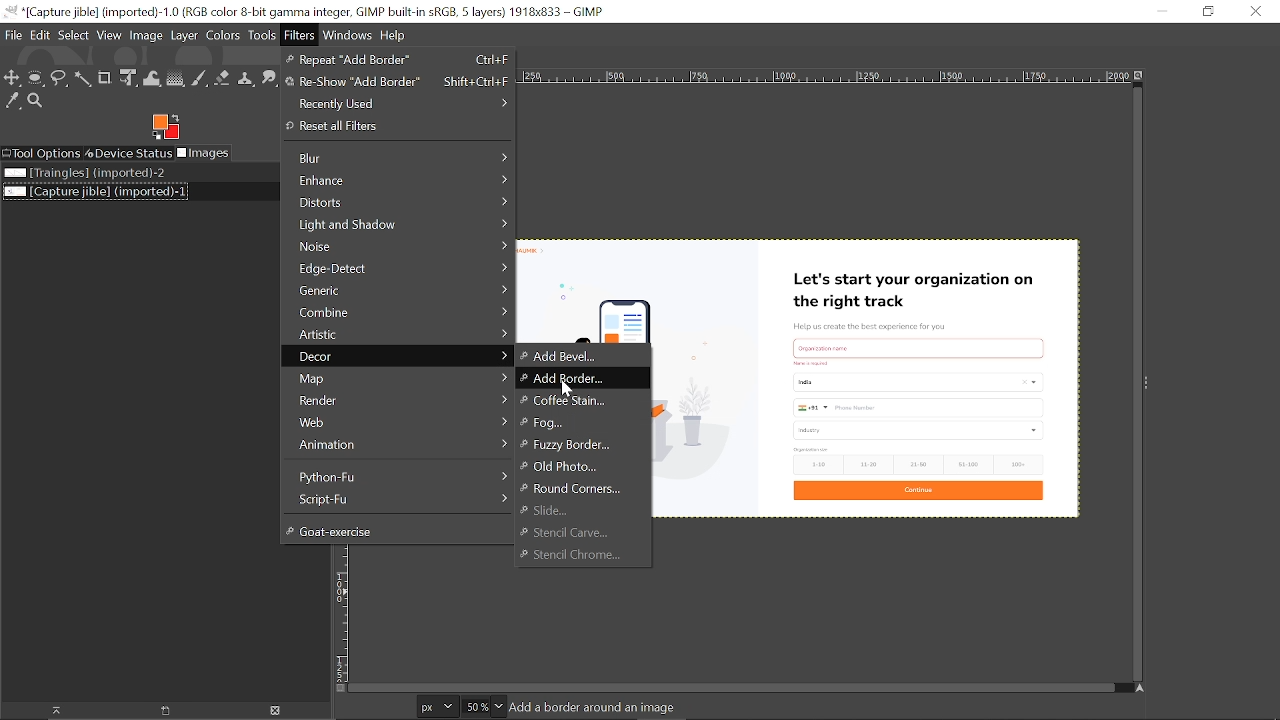 This screenshot has width=1280, height=720. What do you see at coordinates (1148, 383) in the screenshot?
I see `Sidebar menu` at bounding box center [1148, 383].